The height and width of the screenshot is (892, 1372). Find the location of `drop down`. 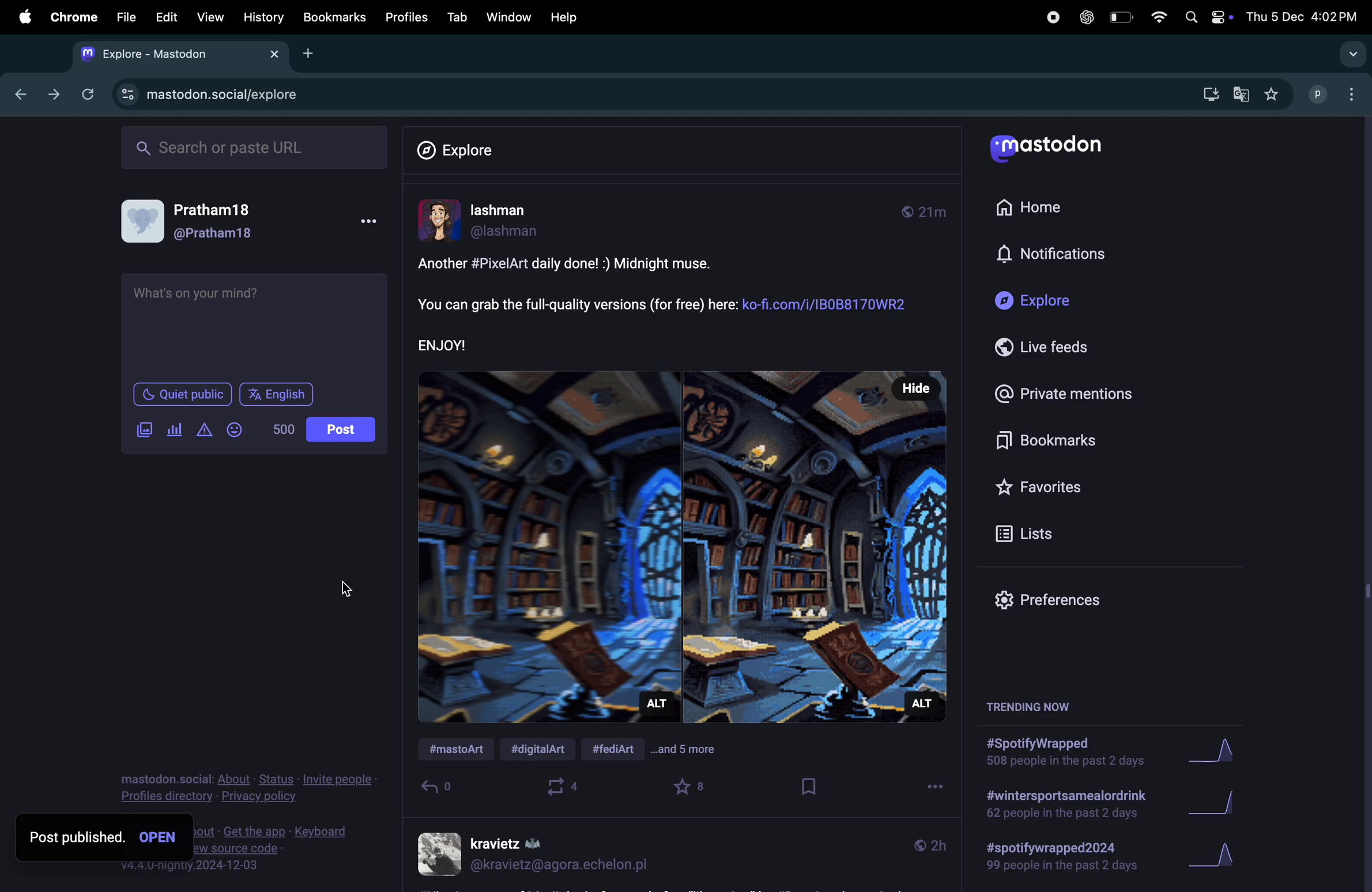

drop down is located at coordinates (1351, 56).